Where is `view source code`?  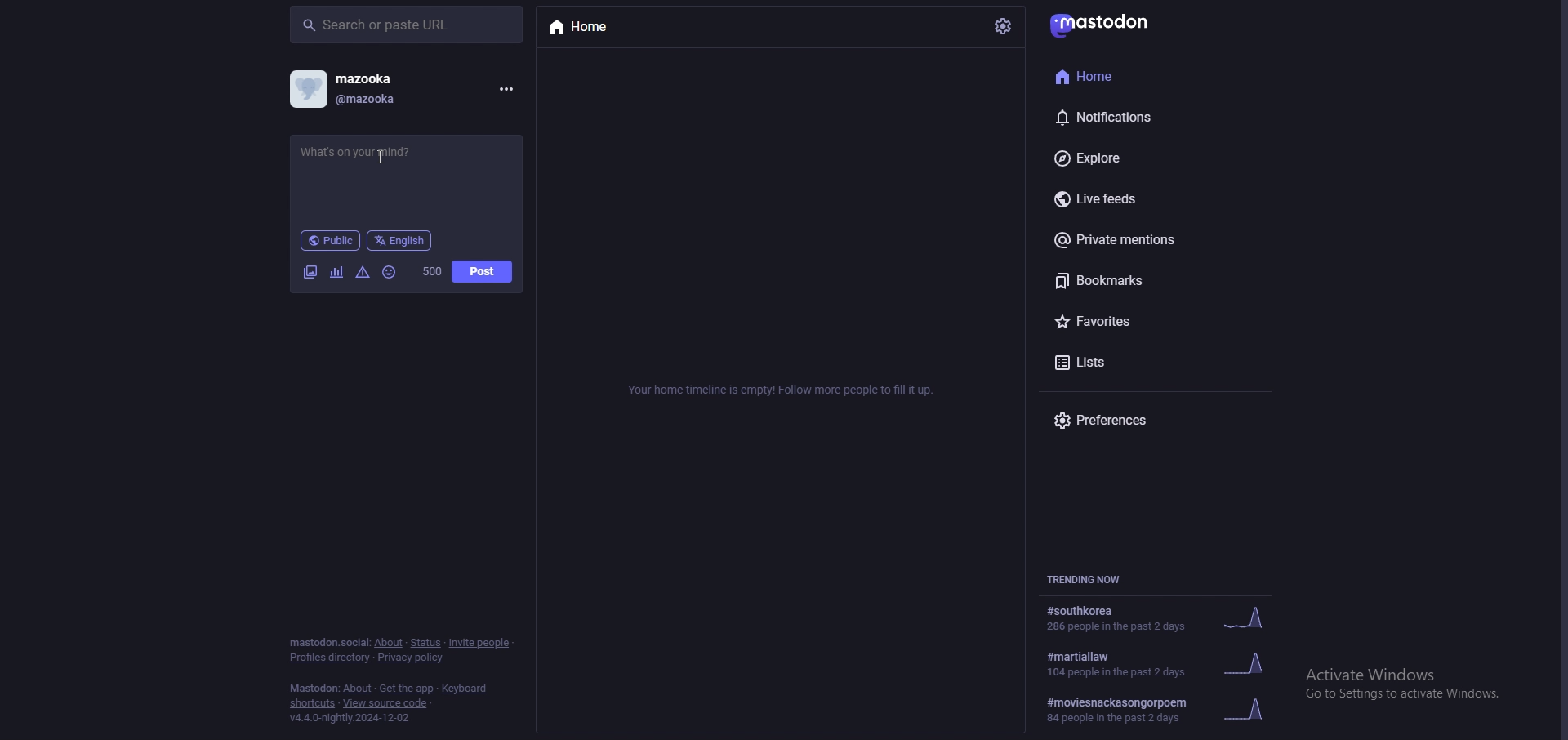
view source code is located at coordinates (385, 703).